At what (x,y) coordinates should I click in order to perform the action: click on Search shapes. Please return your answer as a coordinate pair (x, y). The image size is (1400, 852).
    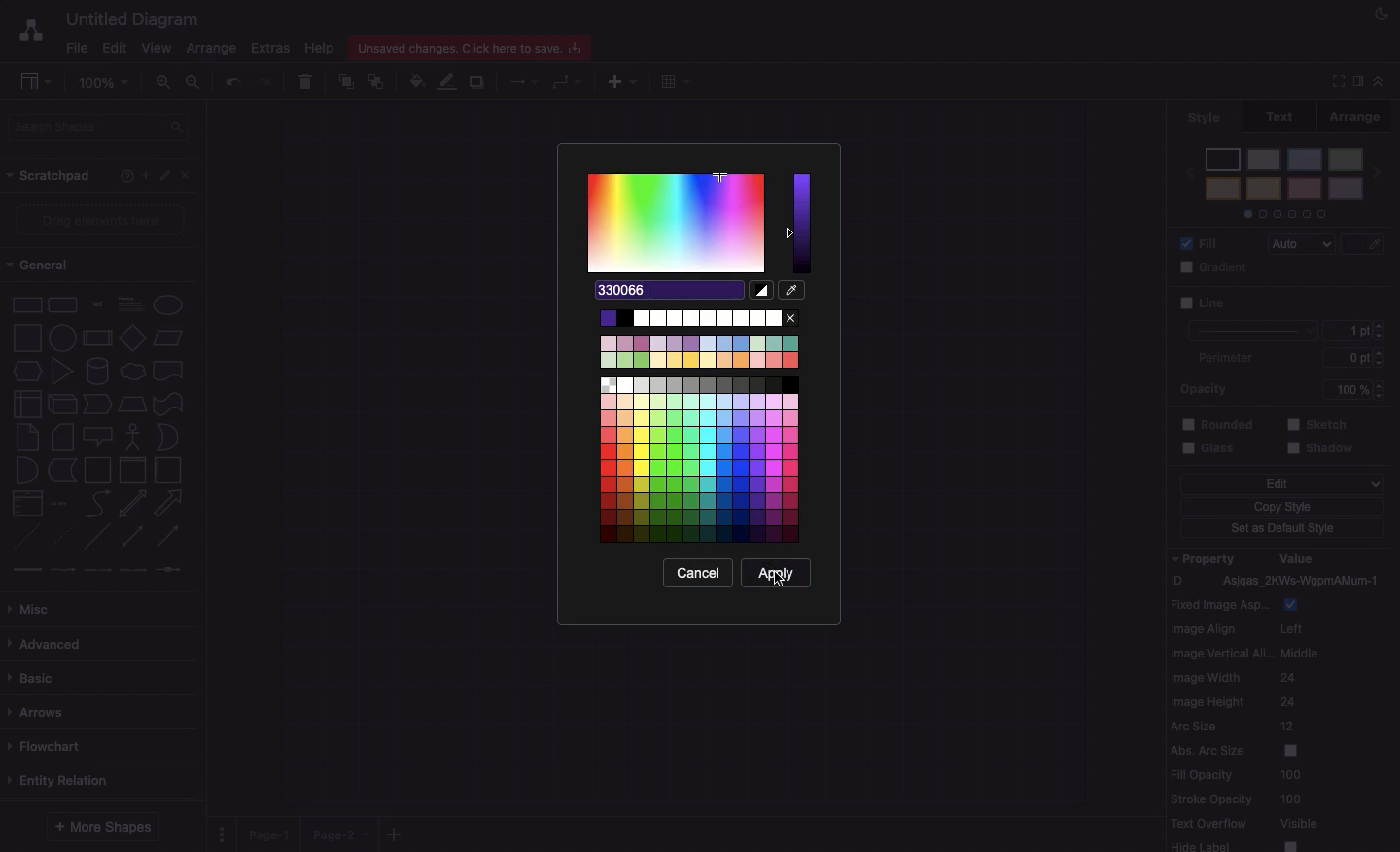
    Looking at the image, I should click on (101, 125).